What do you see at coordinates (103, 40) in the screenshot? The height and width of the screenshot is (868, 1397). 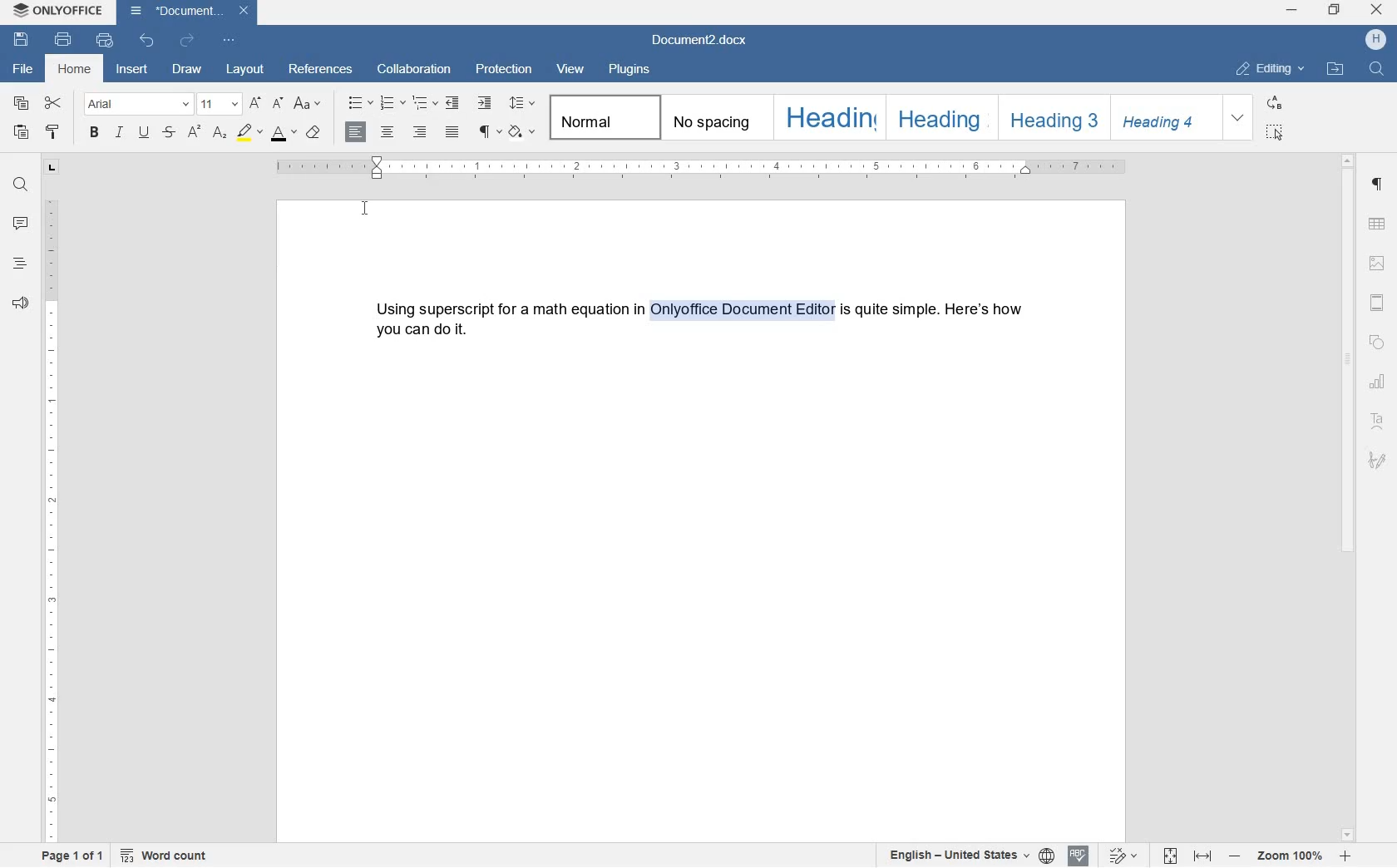 I see `quick print` at bounding box center [103, 40].